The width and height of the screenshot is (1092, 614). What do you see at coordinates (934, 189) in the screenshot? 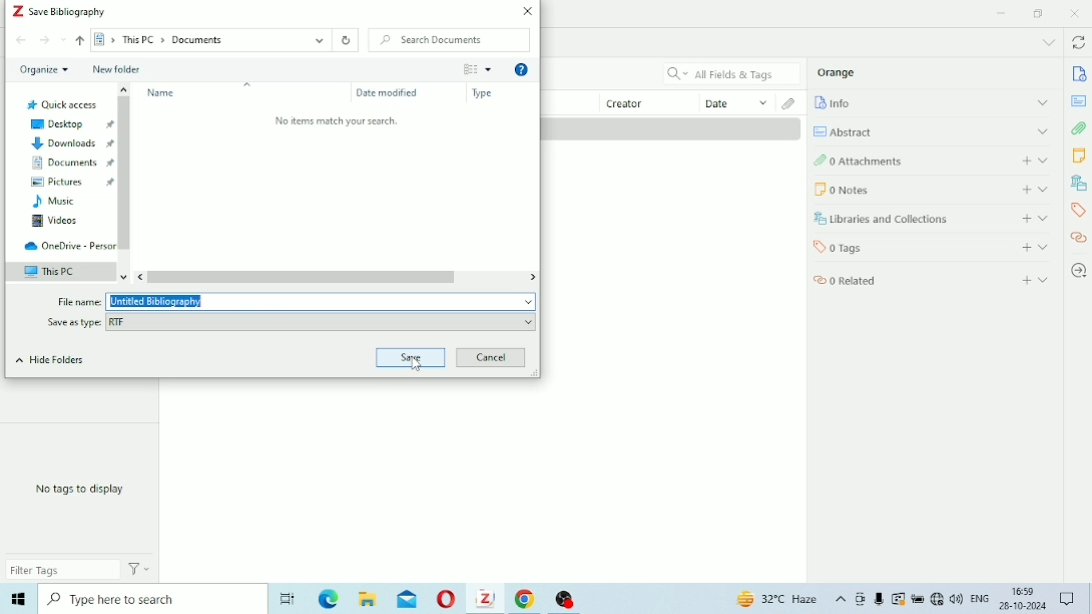
I see `Notes` at bounding box center [934, 189].